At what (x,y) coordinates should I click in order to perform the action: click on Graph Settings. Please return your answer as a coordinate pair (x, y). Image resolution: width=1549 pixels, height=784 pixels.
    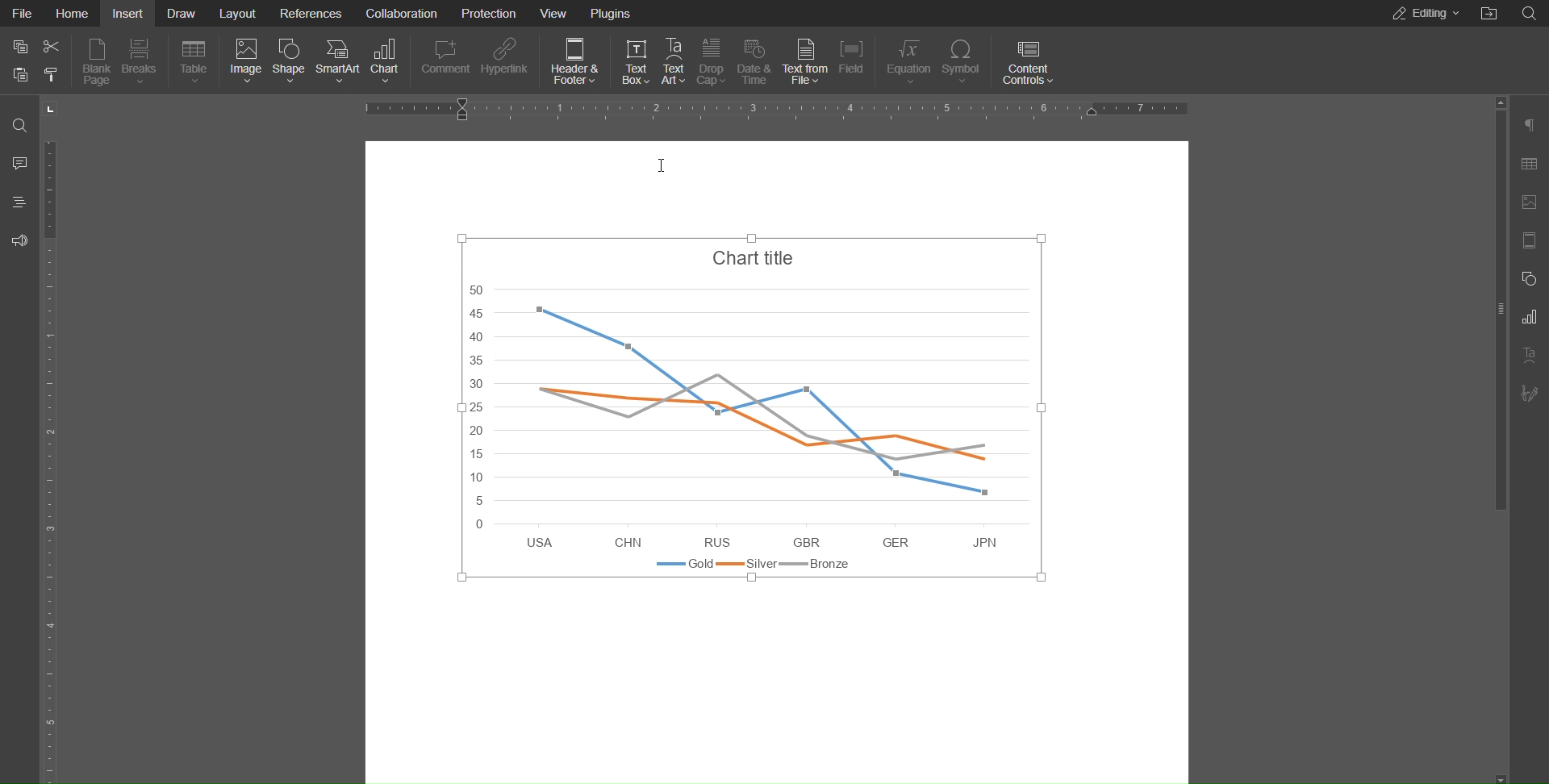
    Looking at the image, I should click on (1529, 318).